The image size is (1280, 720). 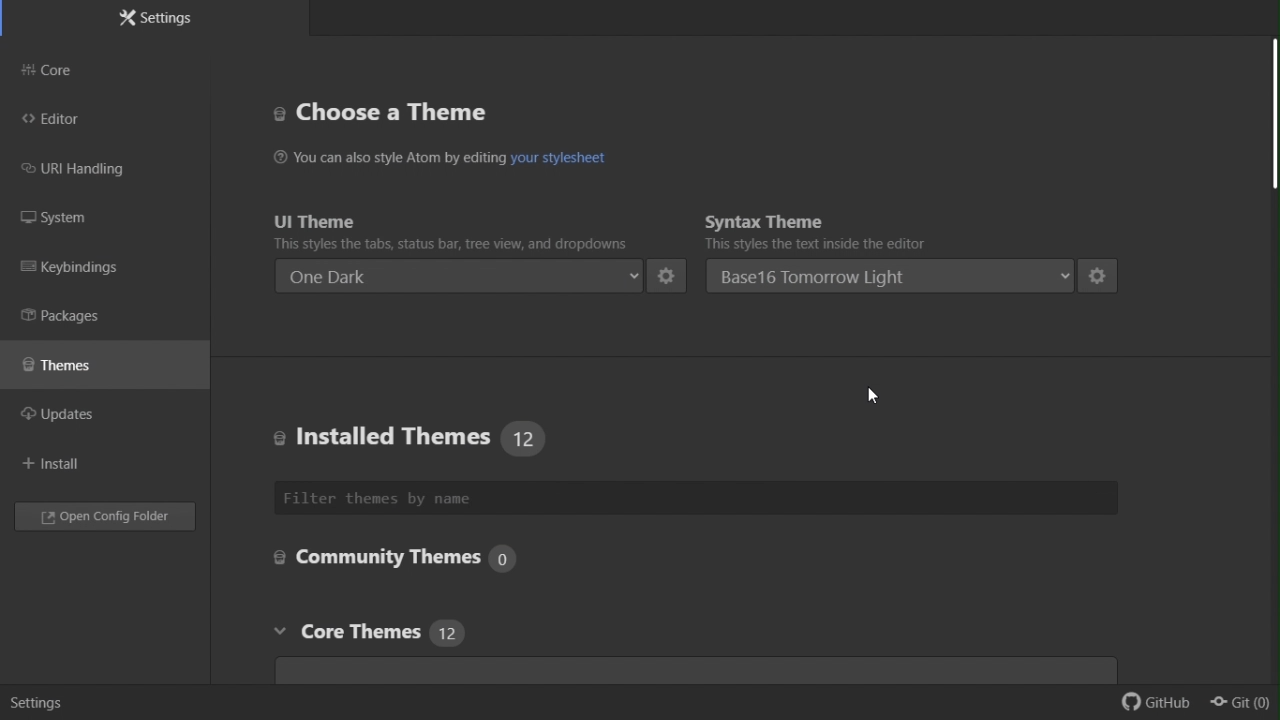 I want to click on settings, so click(x=667, y=274).